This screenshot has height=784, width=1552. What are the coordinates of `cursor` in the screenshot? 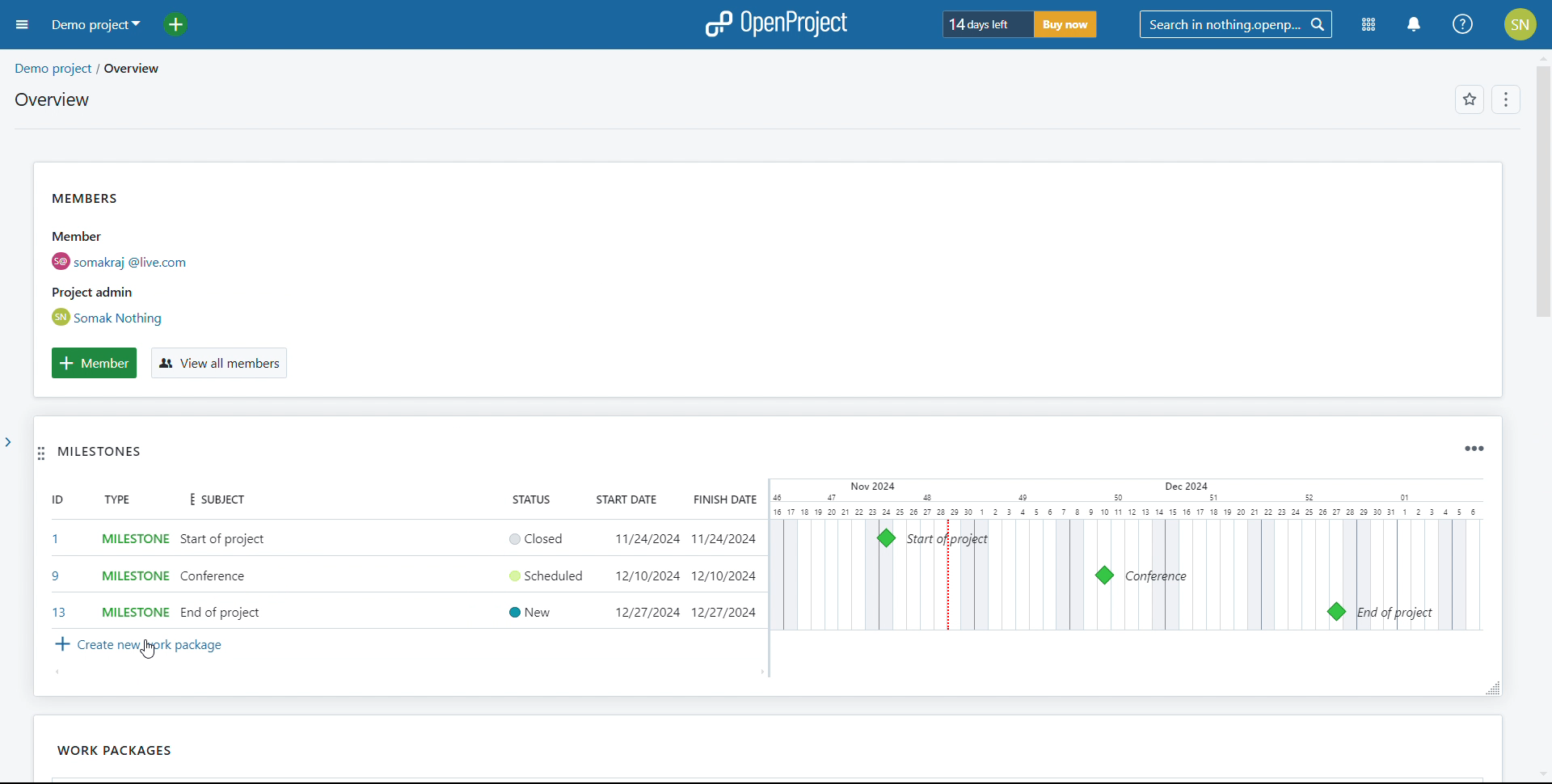 It's located at (159, 657).